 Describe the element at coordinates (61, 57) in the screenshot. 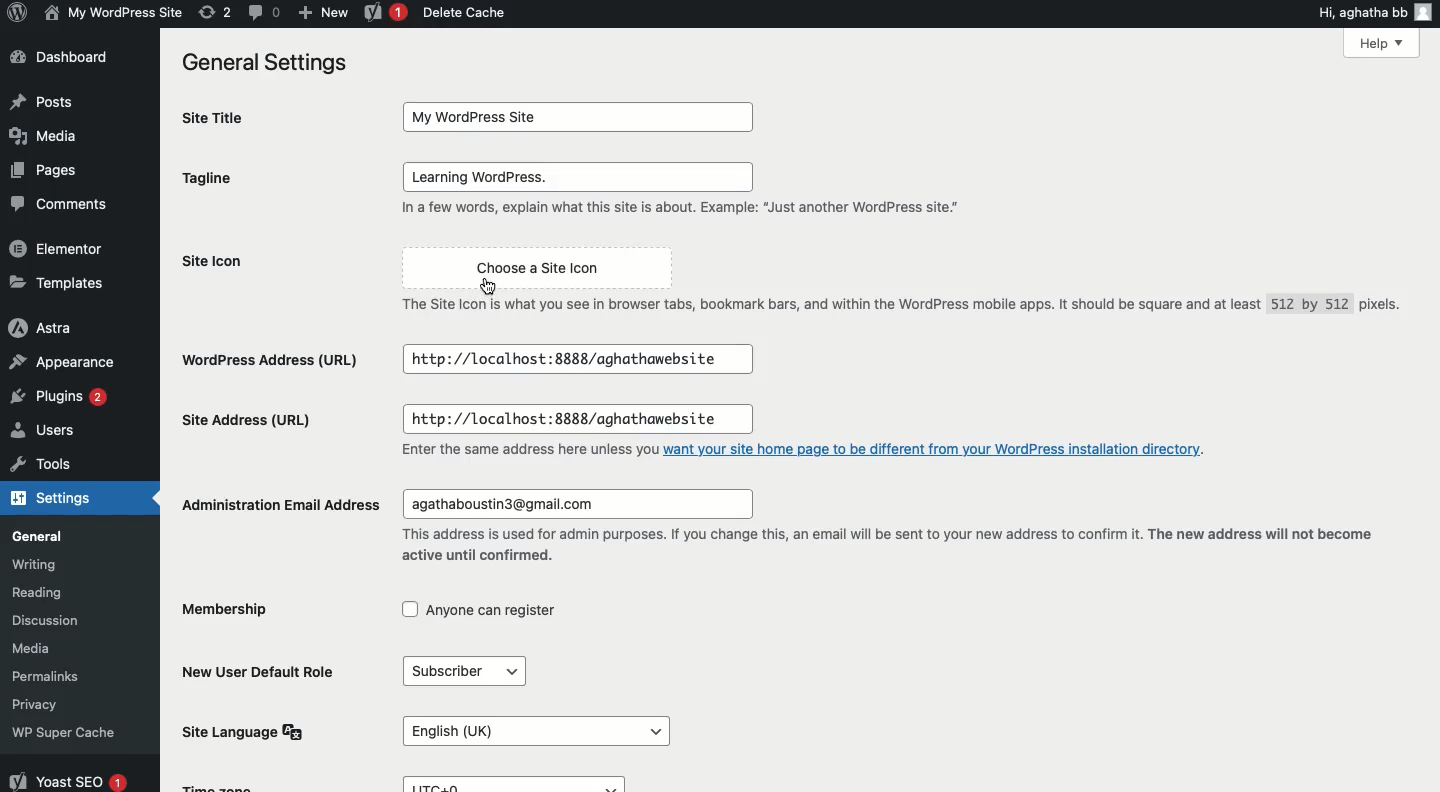

I see `Dashboard` at that location.